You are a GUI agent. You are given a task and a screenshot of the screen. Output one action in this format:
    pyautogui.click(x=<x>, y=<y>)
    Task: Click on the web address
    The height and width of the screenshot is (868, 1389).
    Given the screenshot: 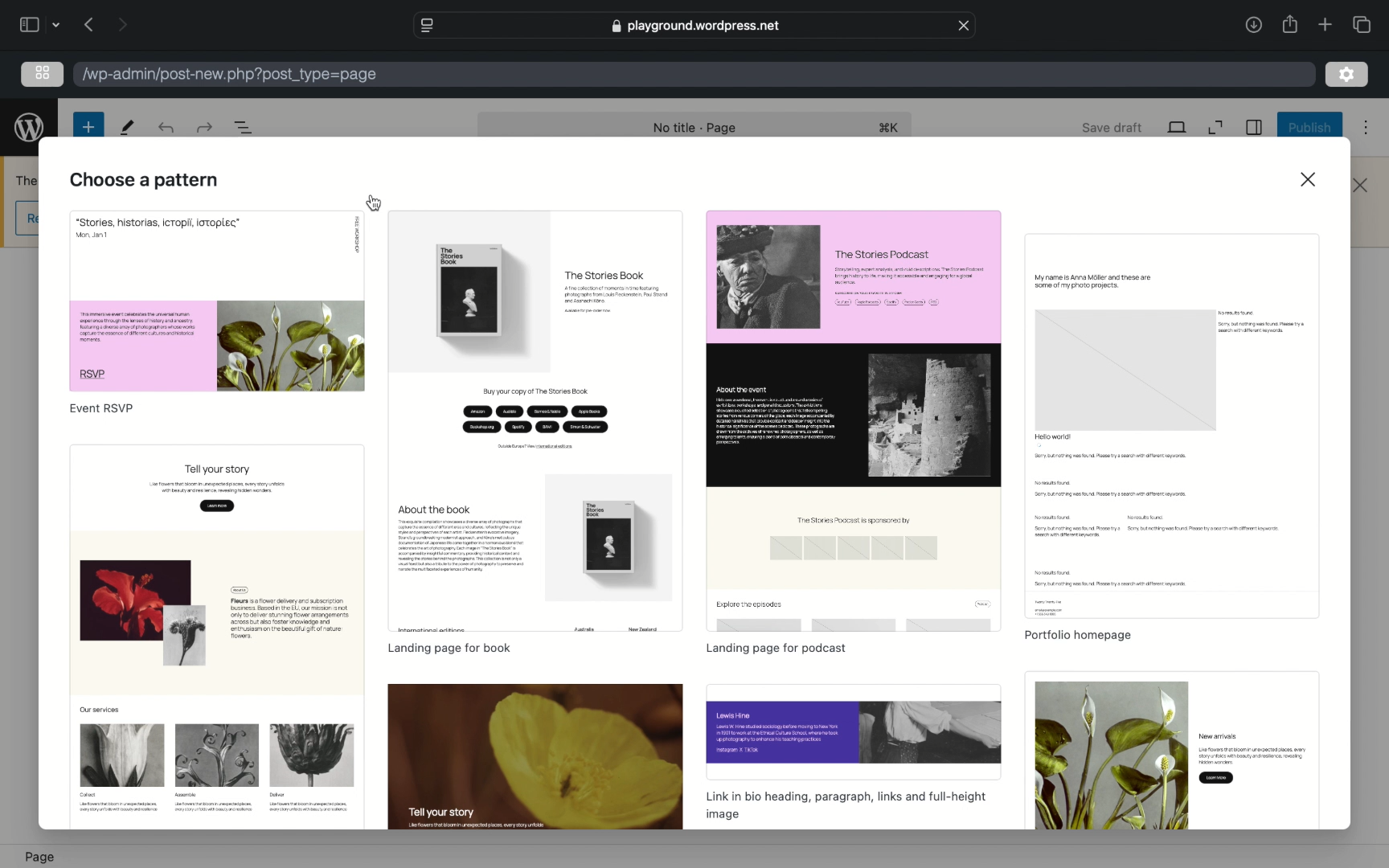 What is the action you would take?
    pyautogui.click(x=695, y=26)
    